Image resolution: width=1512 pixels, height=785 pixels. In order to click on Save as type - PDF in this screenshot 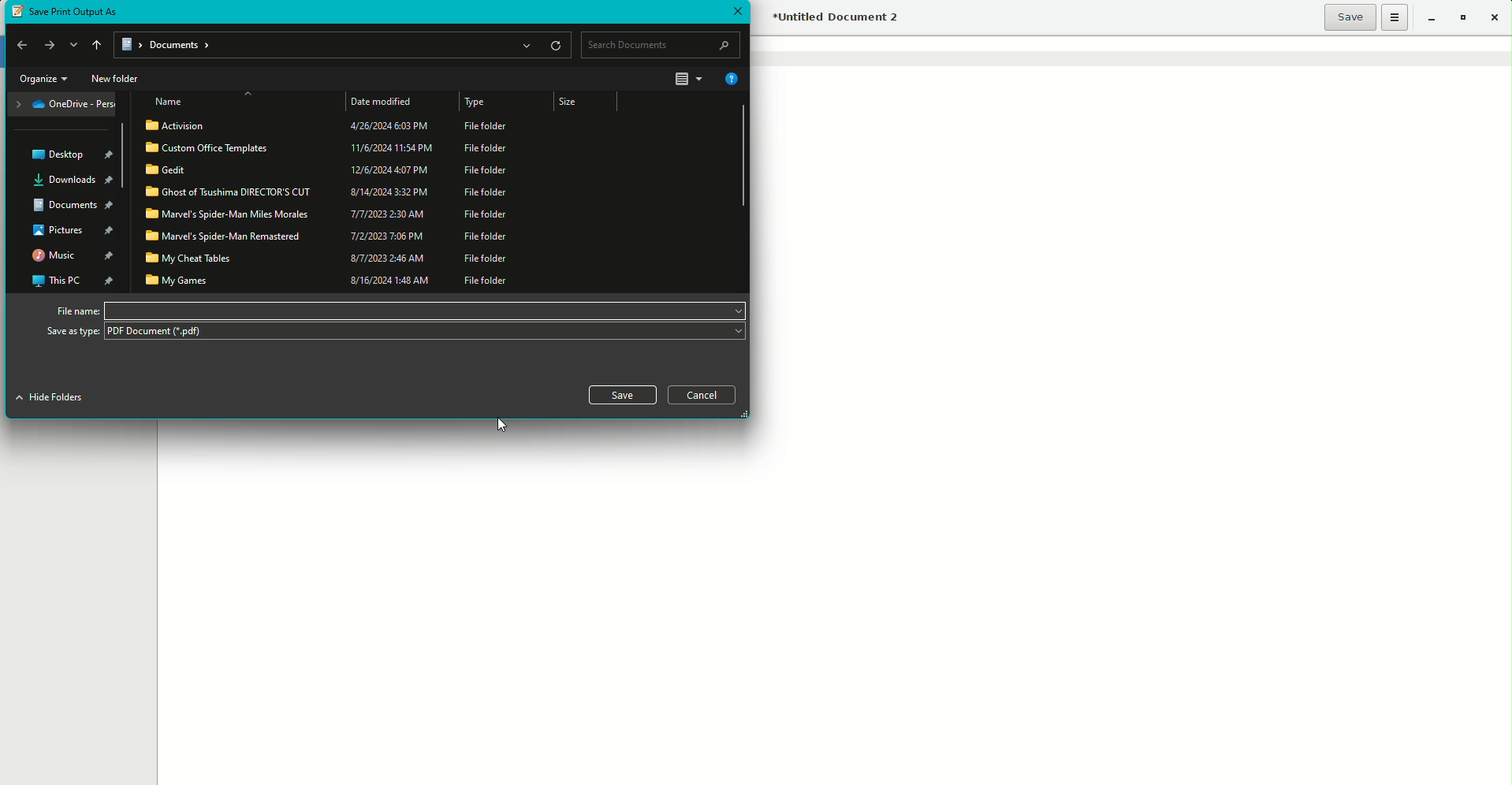, I will do `click(395, 333)`.